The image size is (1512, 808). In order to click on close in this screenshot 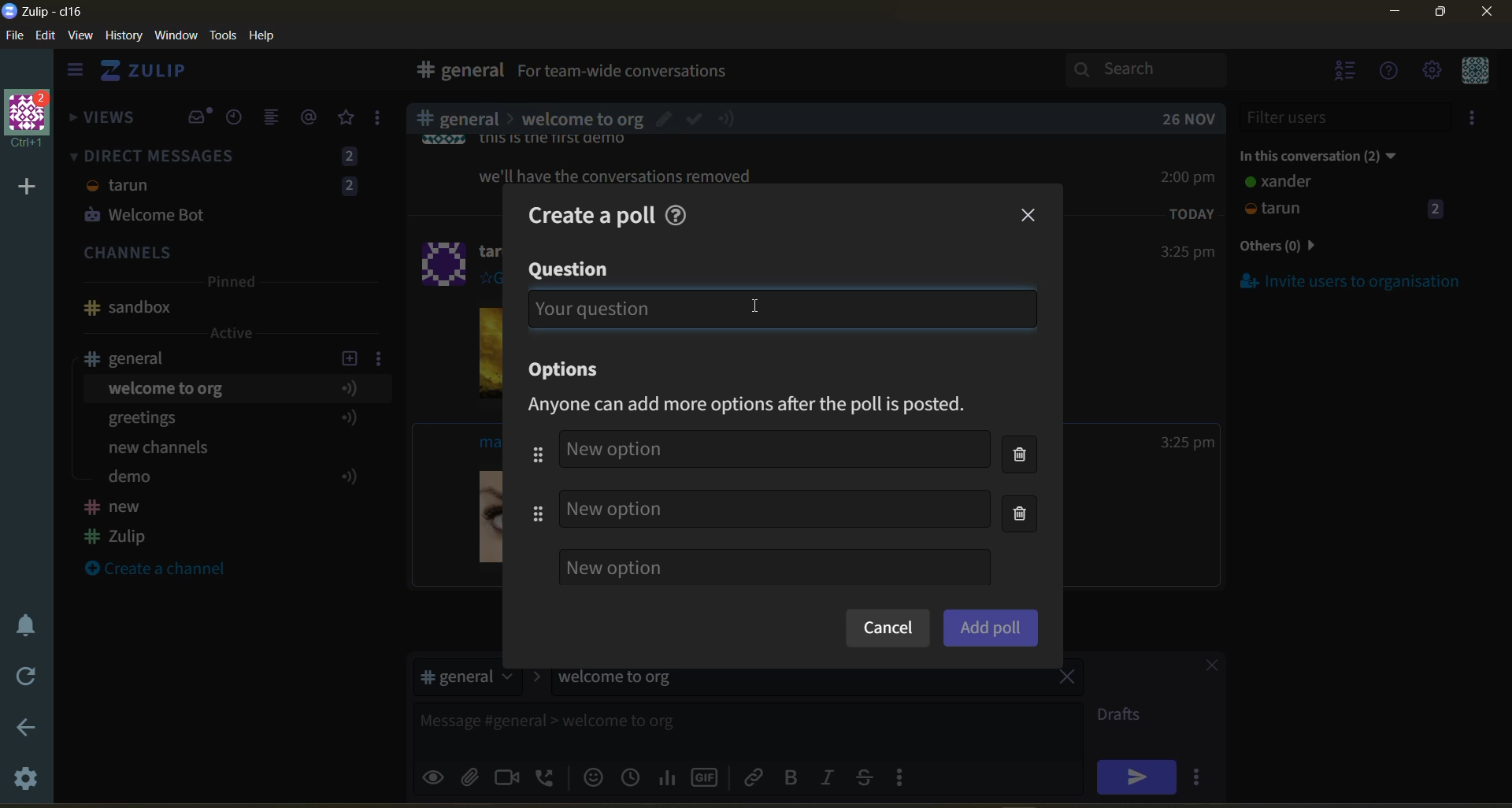, I will do `click(1204, 668)`.